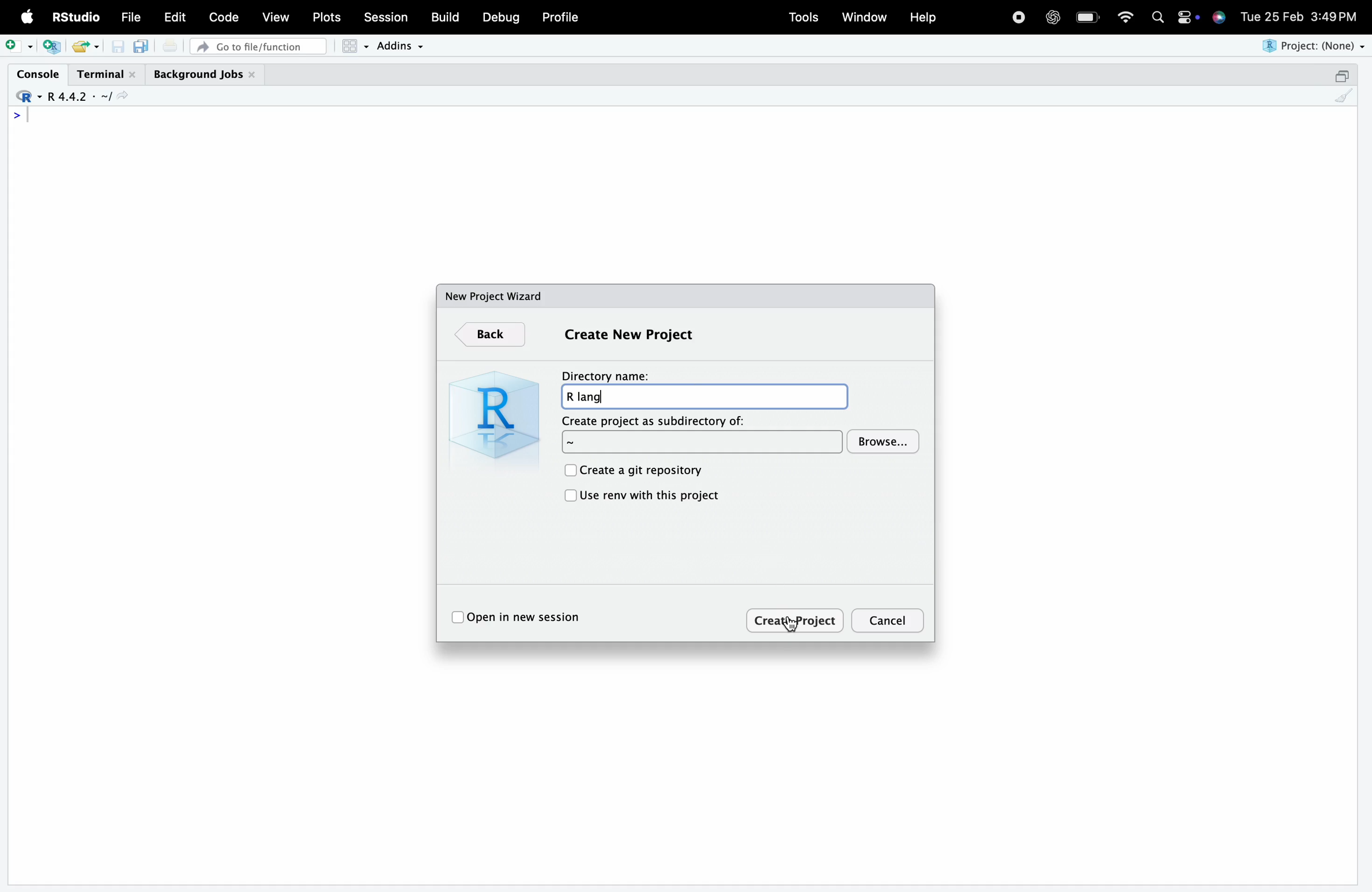  Describe the element at coordinates (704, 396) in the screenshot. I see `R lang` at that location.